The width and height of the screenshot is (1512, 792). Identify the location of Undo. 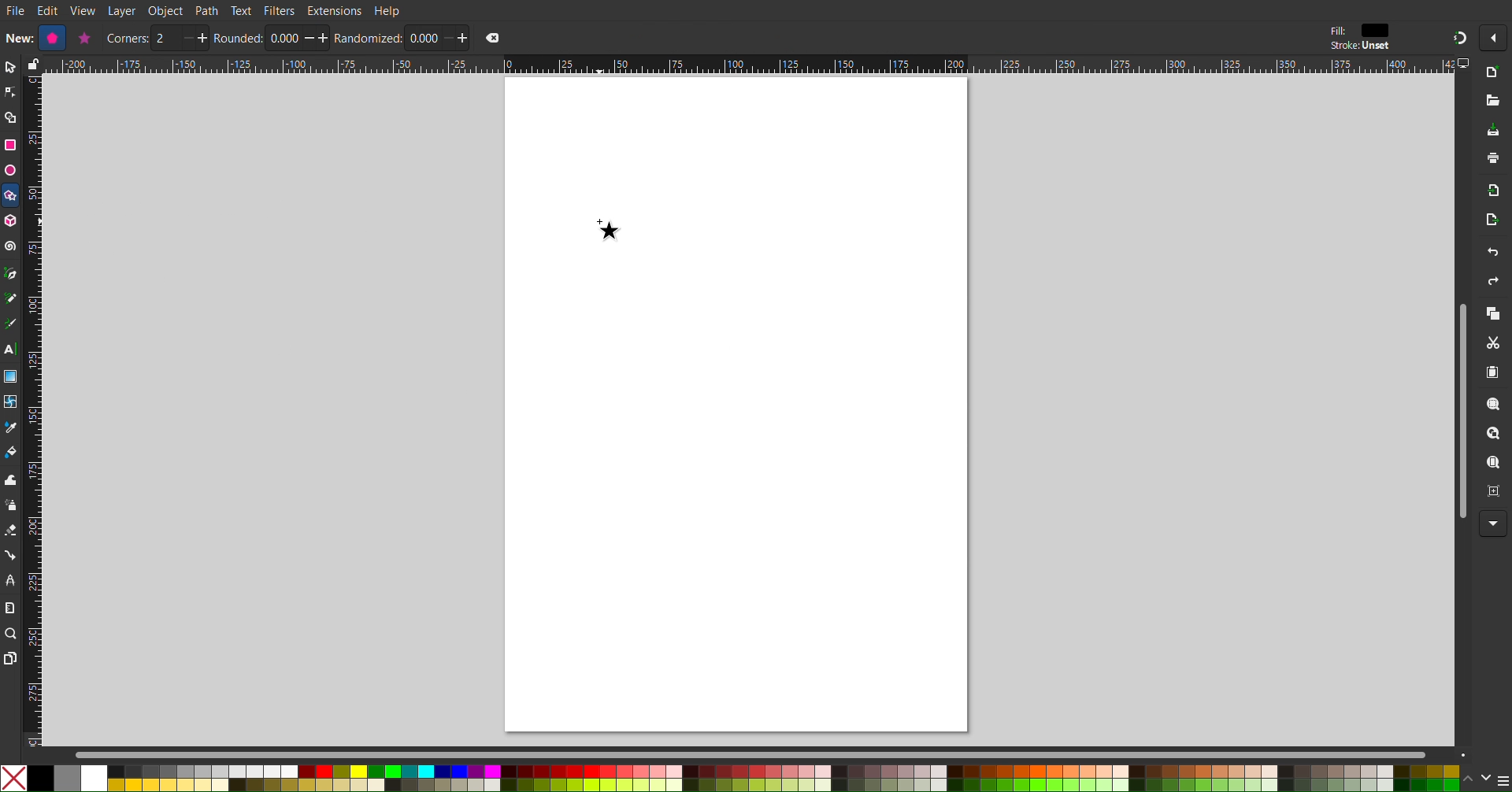
(1492, 254).